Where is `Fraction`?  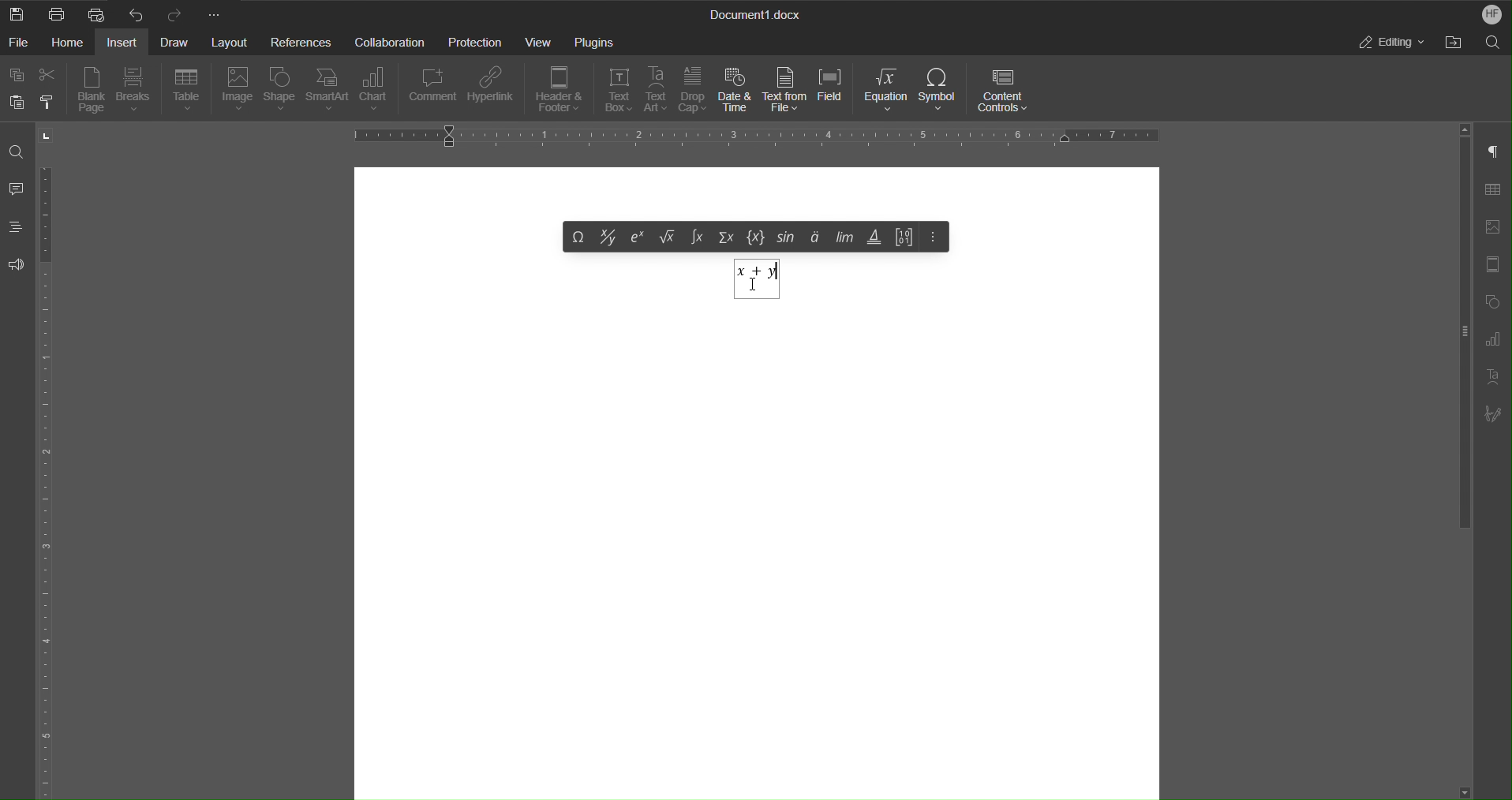
Fraction is located at coordinates (607, 237).